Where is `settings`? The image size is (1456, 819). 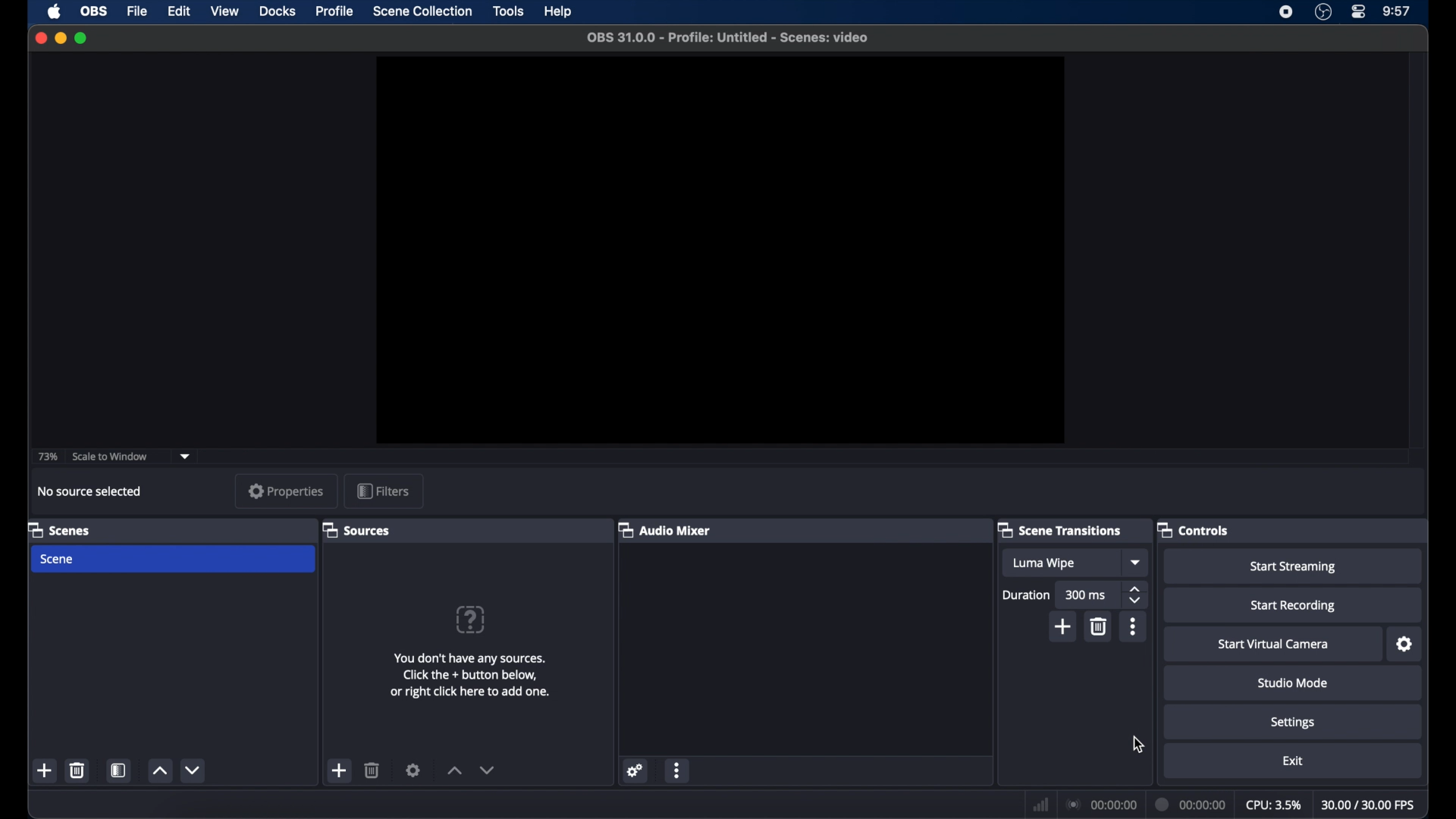
settings is located at coordinates (638, 771).